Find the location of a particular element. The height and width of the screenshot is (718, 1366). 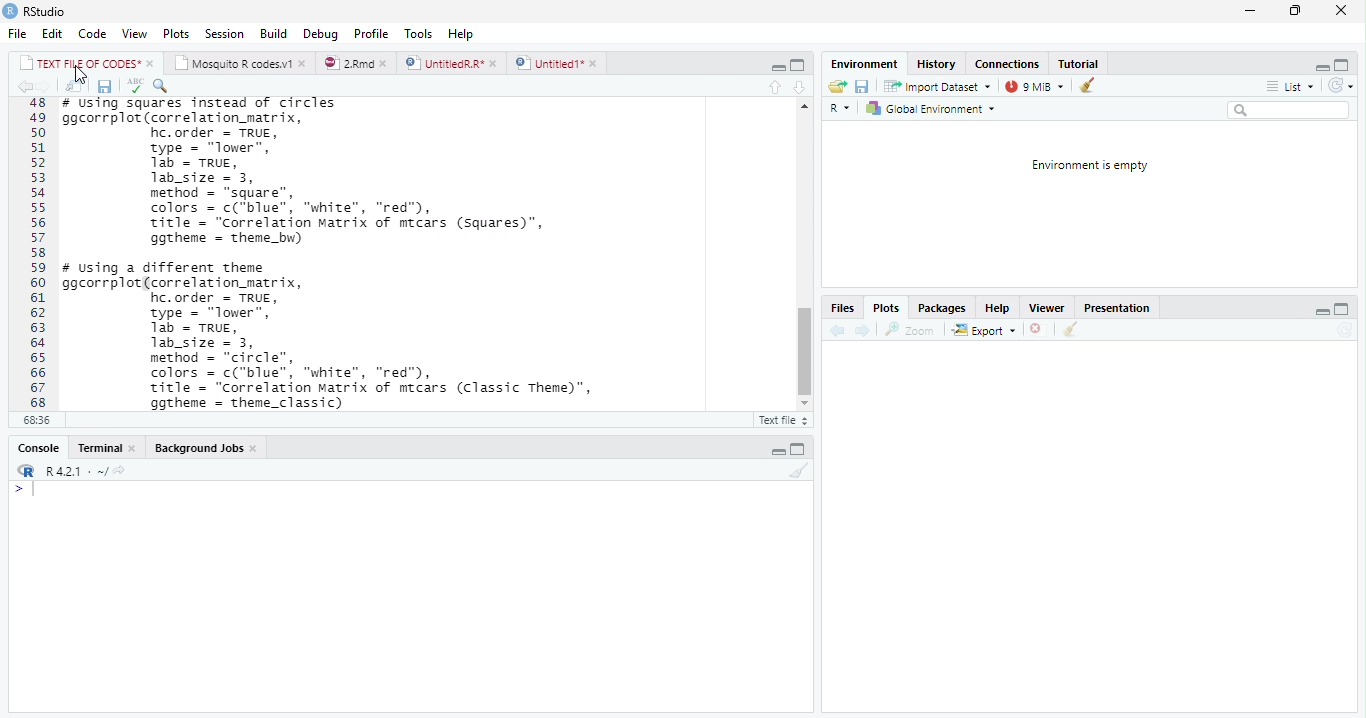

refresh is located at coordinates (1347, 87).